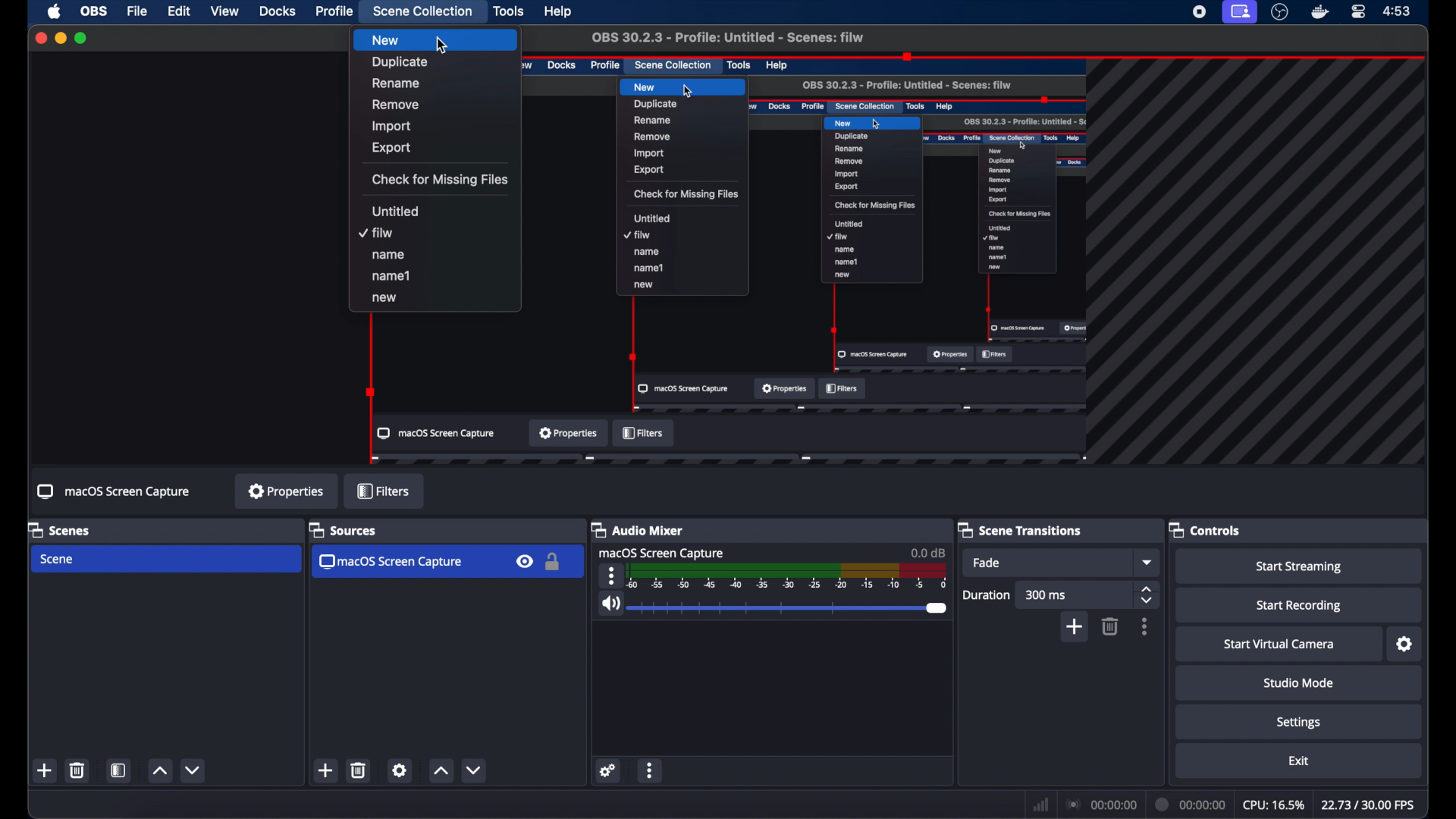  What do you see at coordinates (1075, 628) in the screenshot?
I see `add scene transition` at bounding box center [1075, 628].